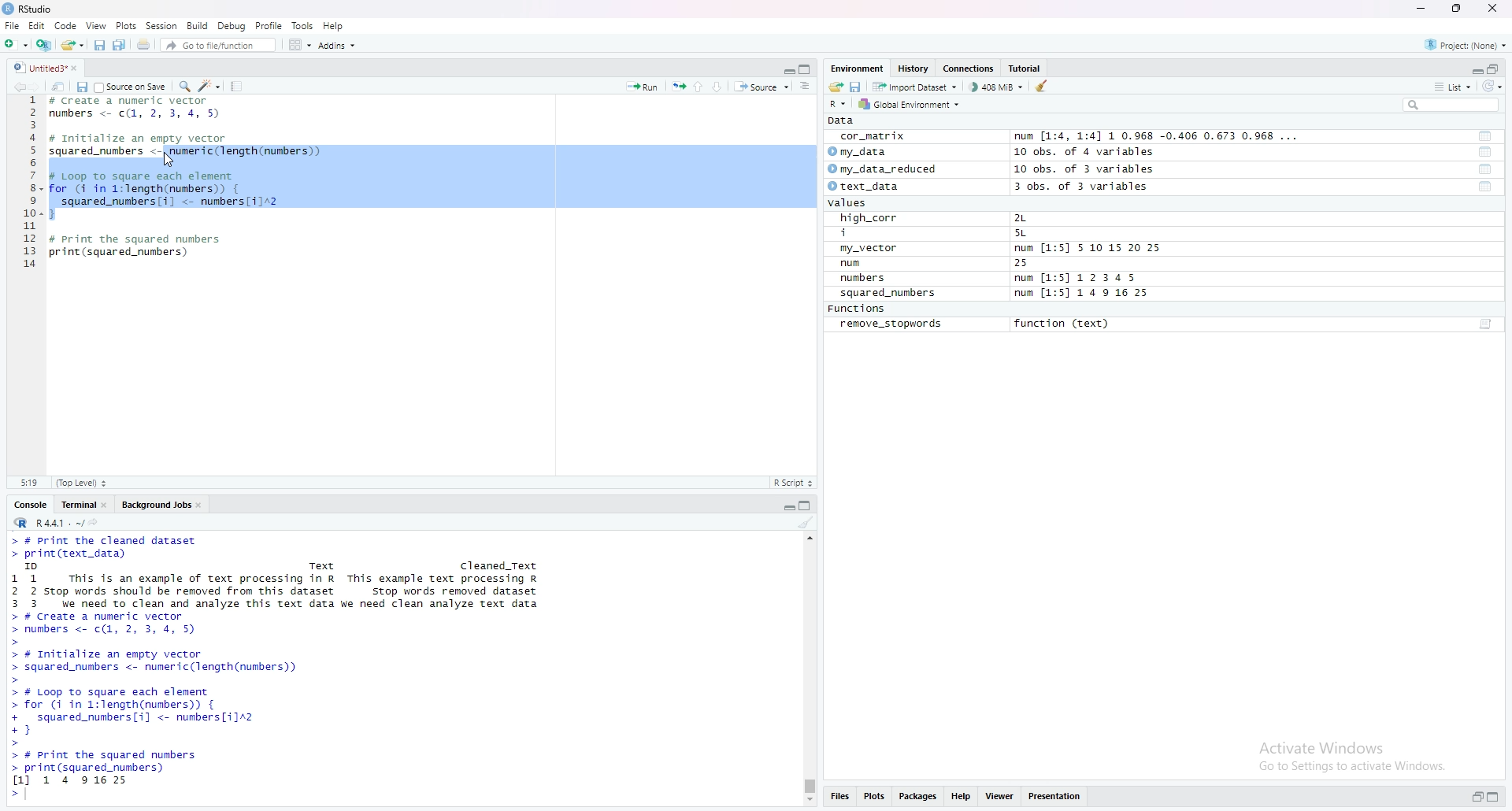 This screenshot has width=1512, height=811. I want to click on Debug, so click(232, 25).